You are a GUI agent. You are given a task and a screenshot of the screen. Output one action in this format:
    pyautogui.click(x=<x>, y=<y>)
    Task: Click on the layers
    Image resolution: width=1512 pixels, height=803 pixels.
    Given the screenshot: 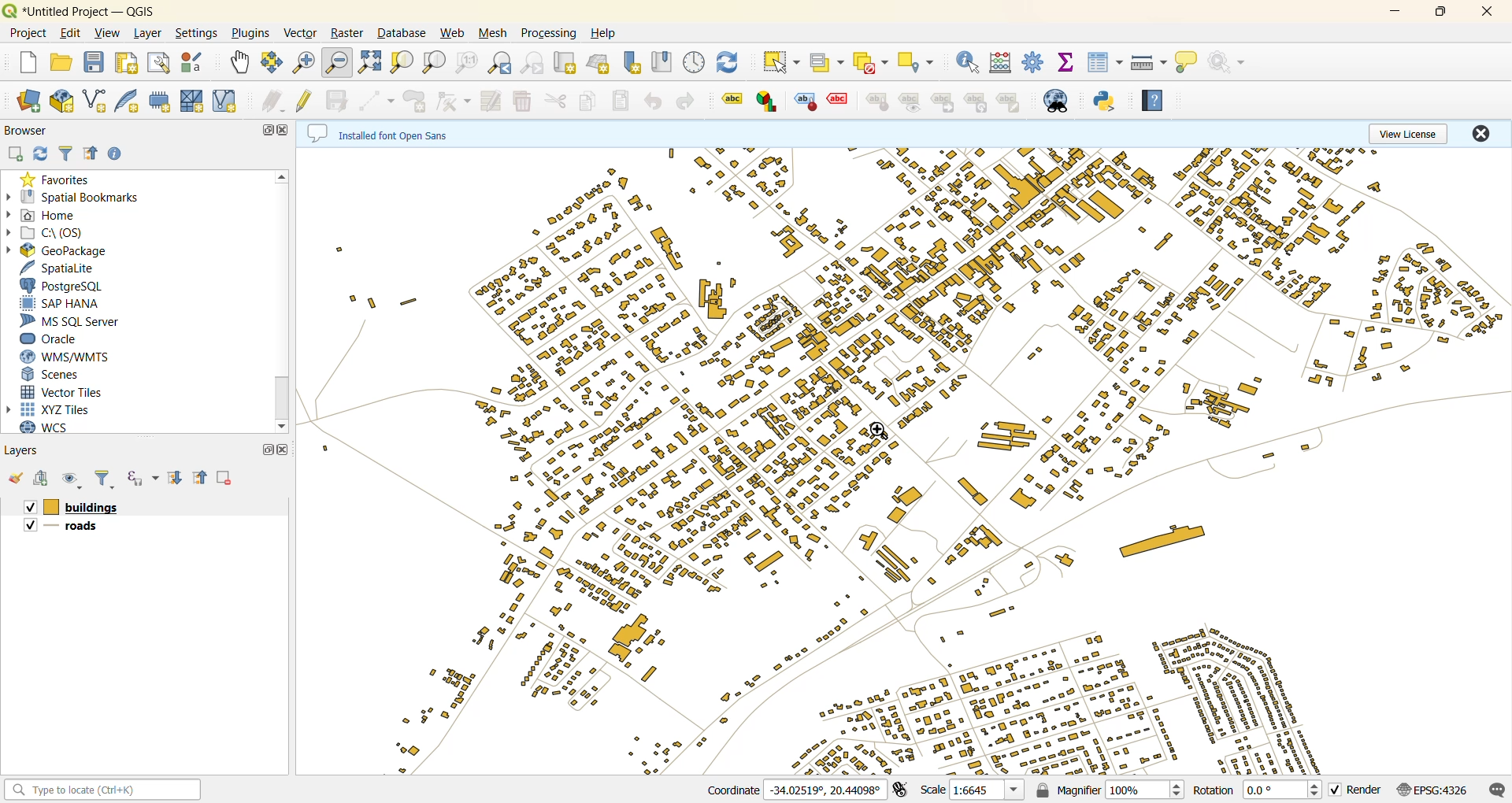 What is the action you would take?
    pyautogui.click(x=29, y=453)
    